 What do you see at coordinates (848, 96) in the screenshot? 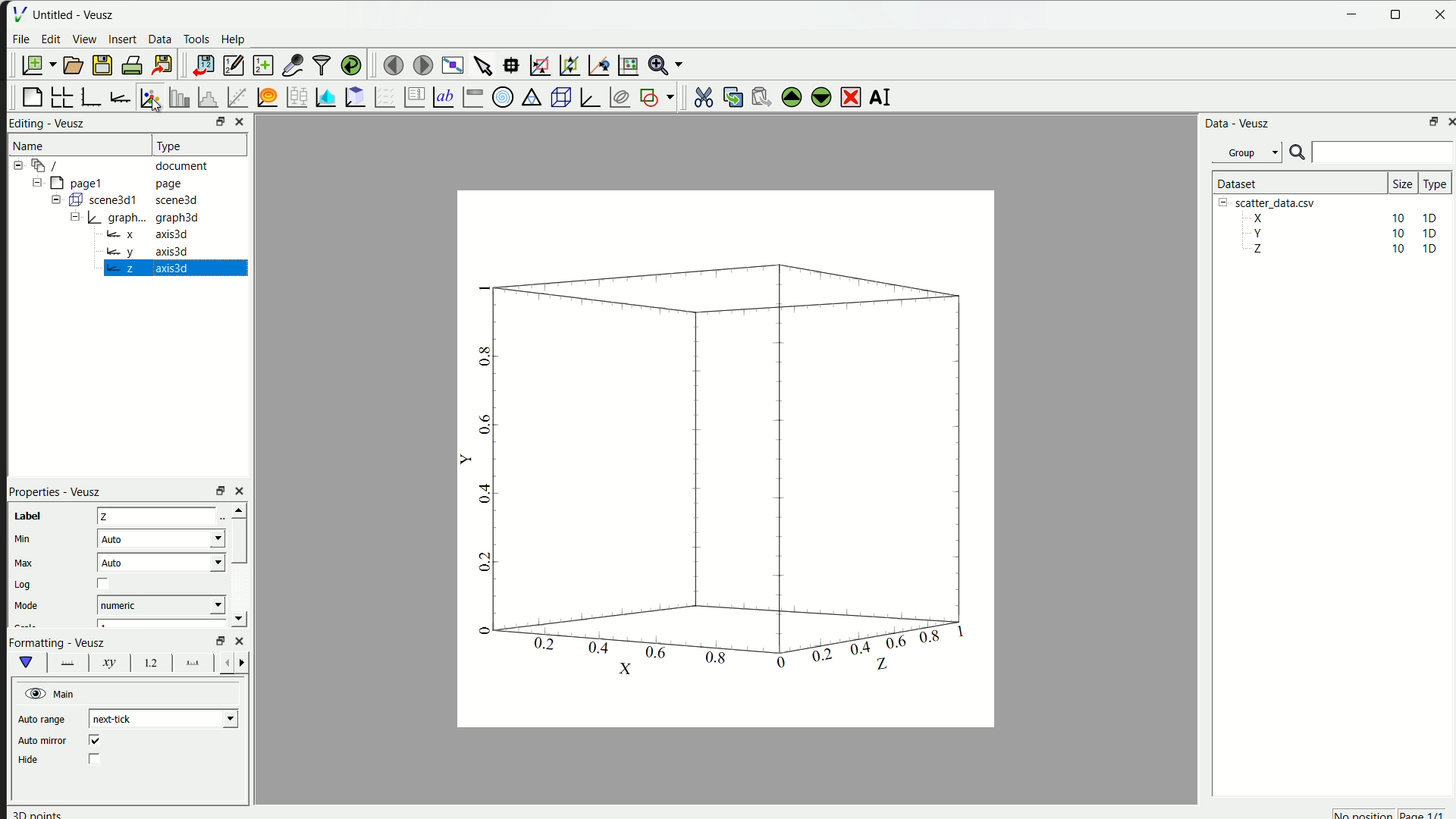
I see `remove the selected widget` at bounding box center [848, 96].